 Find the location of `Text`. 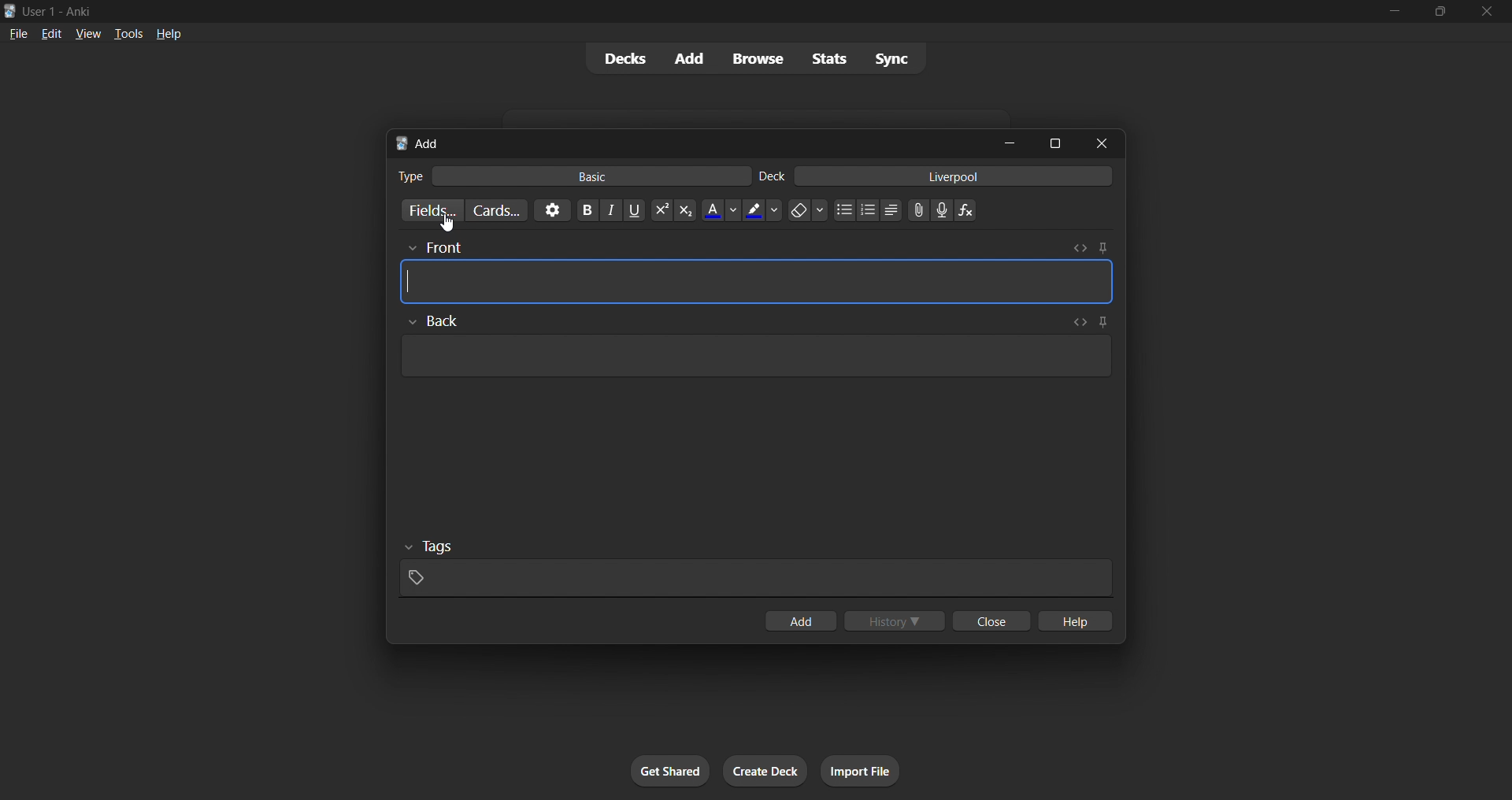

Text is located at coordinates (60, 13).